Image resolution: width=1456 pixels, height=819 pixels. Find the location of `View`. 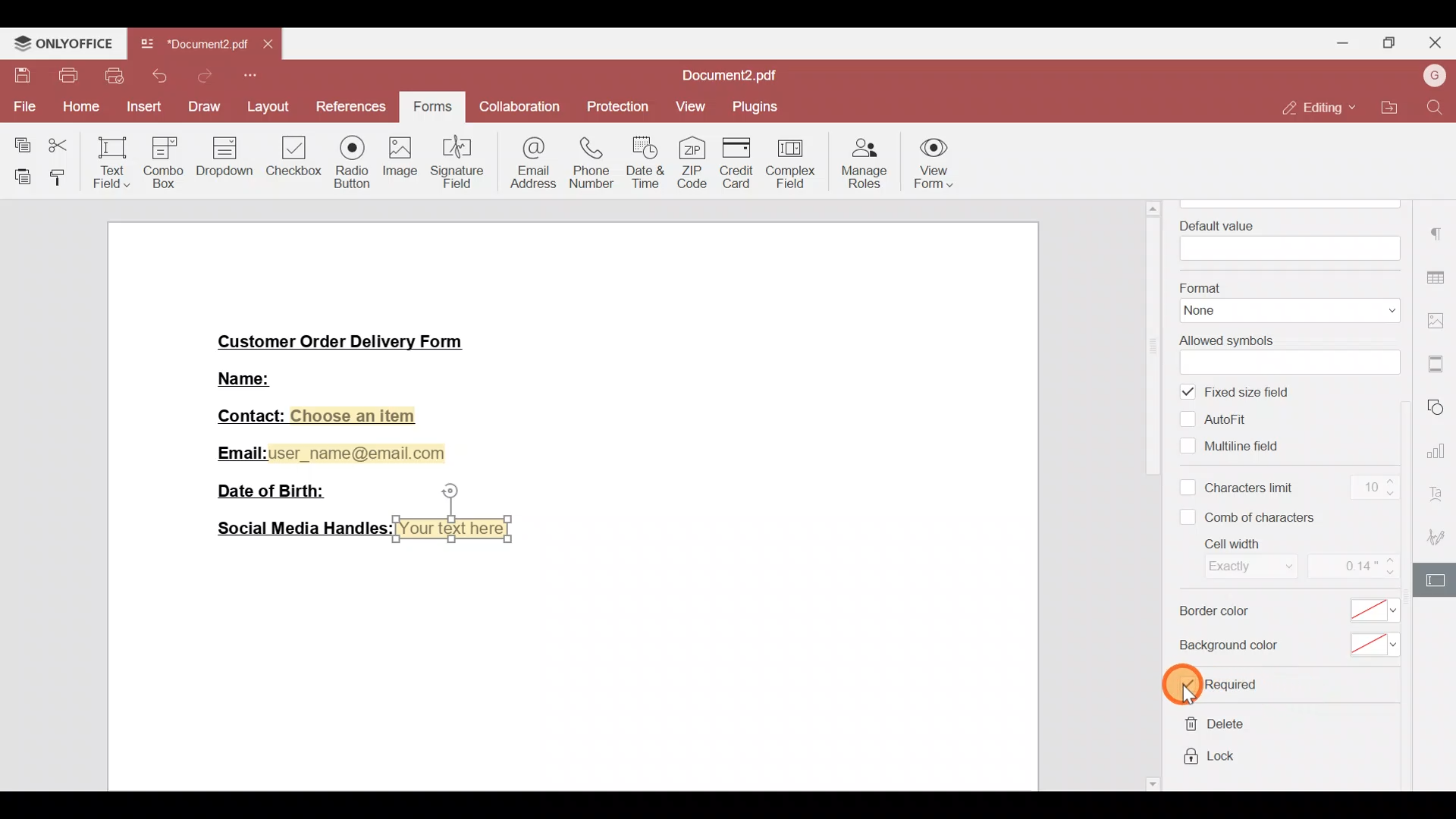

View is located at coordinates (689, 110).